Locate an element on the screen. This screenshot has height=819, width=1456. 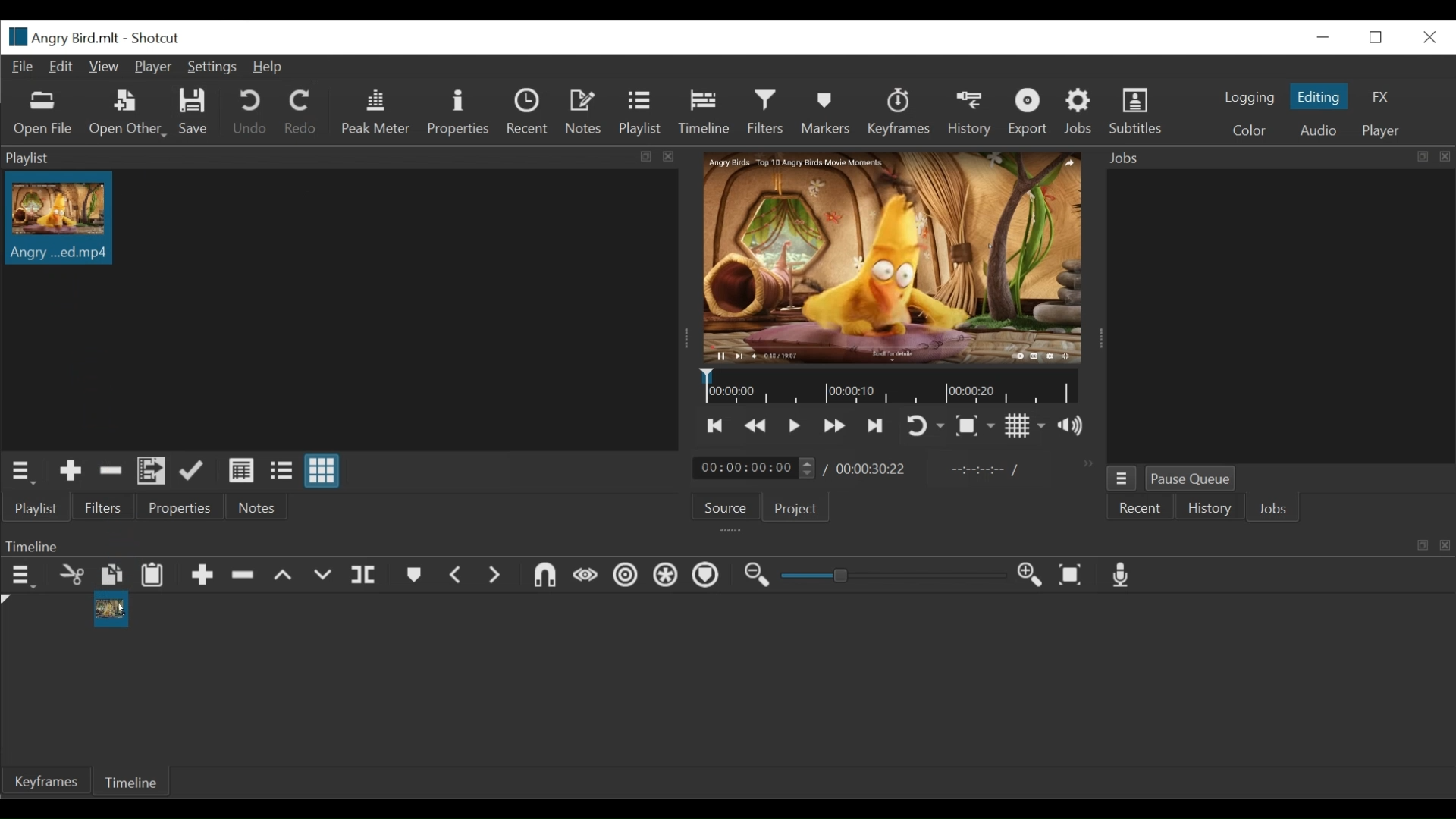
Source is located at coordinates (729, 506).